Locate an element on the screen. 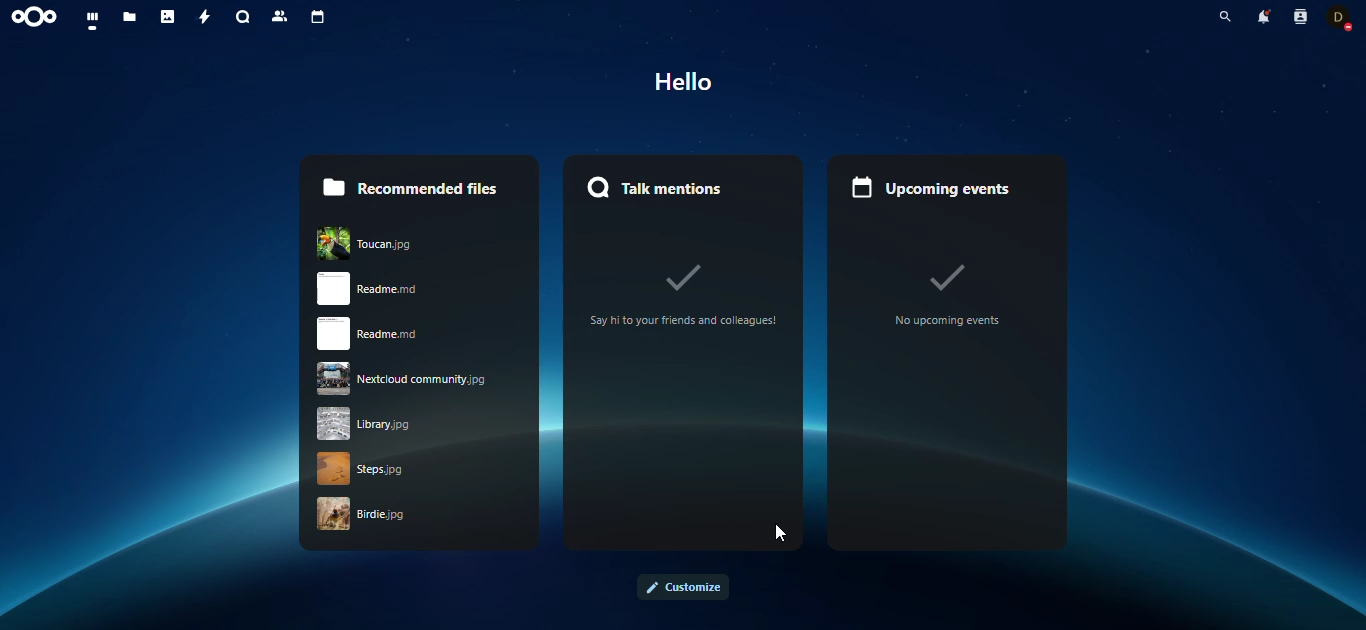 Image resolution: width=1366 pixels, height=630 pixels. upcoming events is located at coordinates (937, 184).